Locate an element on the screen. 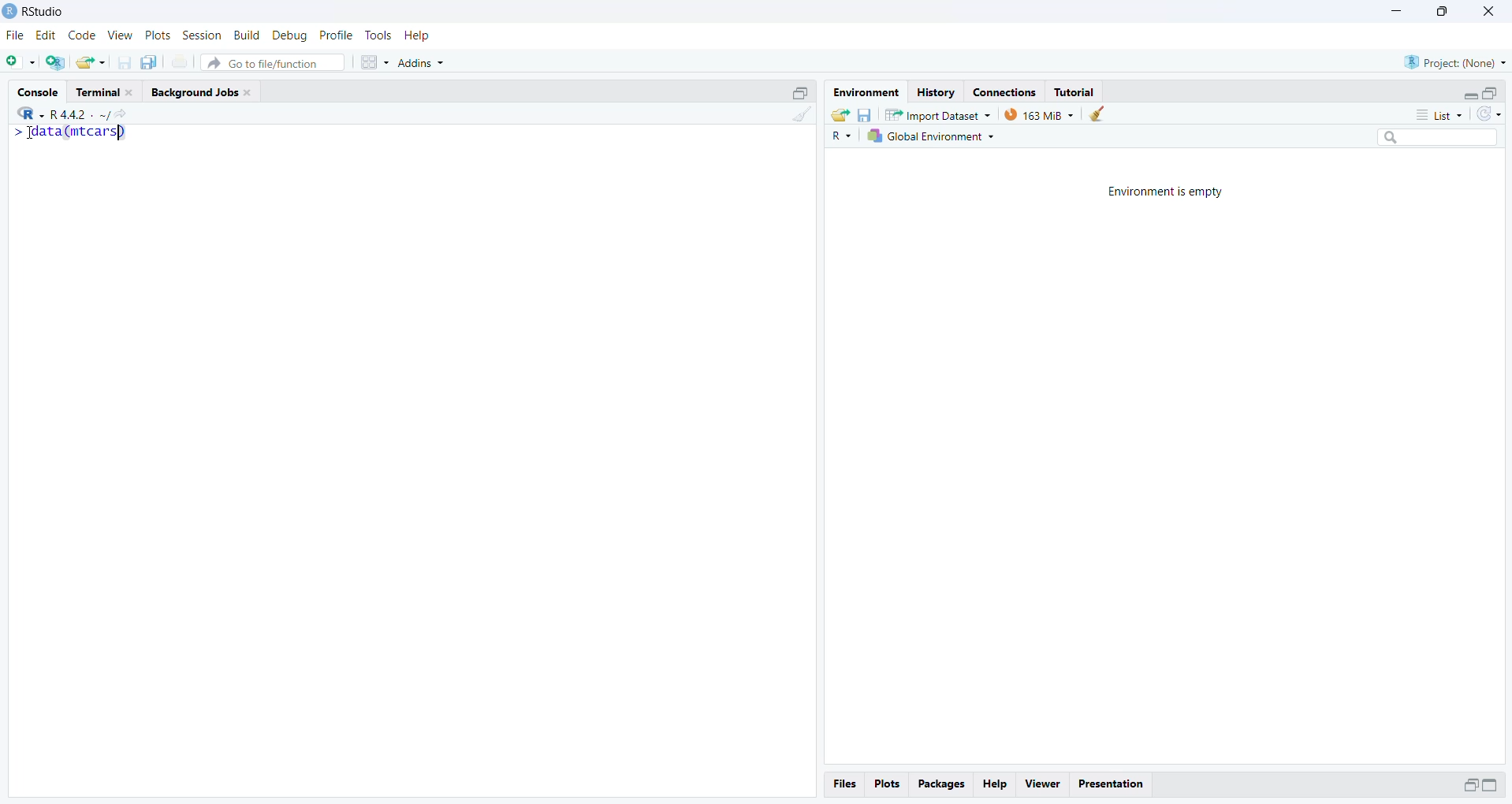 Image resolution: width=1512 pixels, height=804 pixels. help is located at coordinates (417, 35).